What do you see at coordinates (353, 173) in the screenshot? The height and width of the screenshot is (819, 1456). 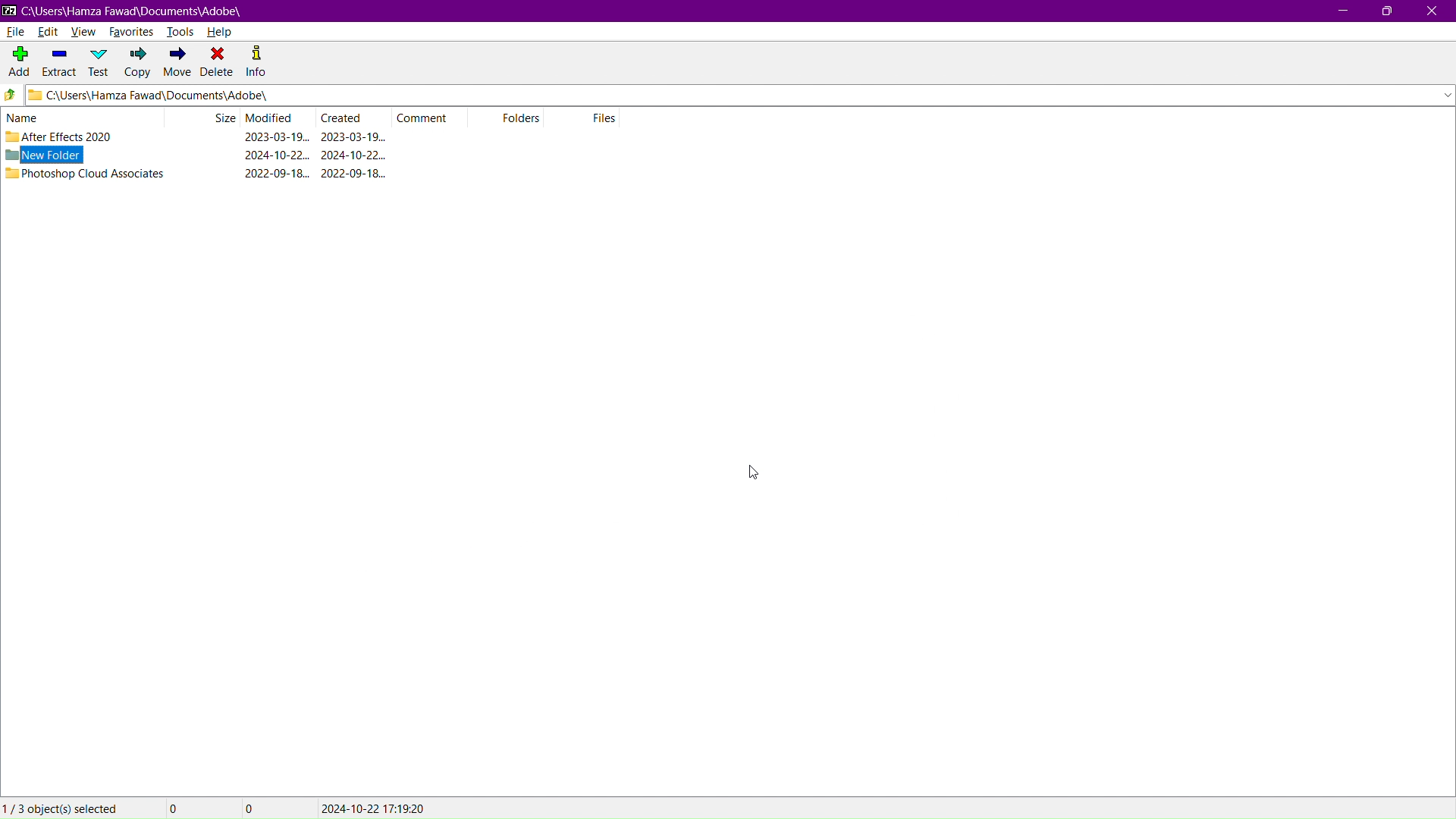 I see `created date & time` at bounding box center [353, 173].